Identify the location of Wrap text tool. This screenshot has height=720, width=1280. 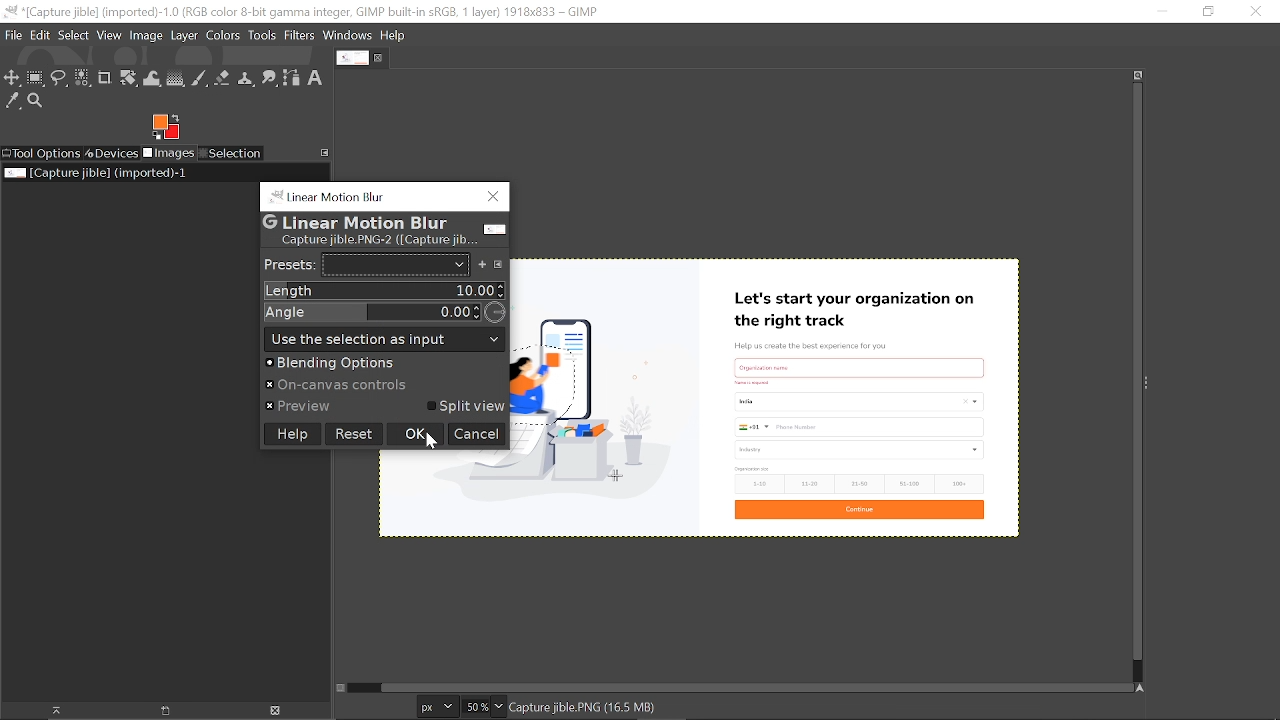
(153, 79).